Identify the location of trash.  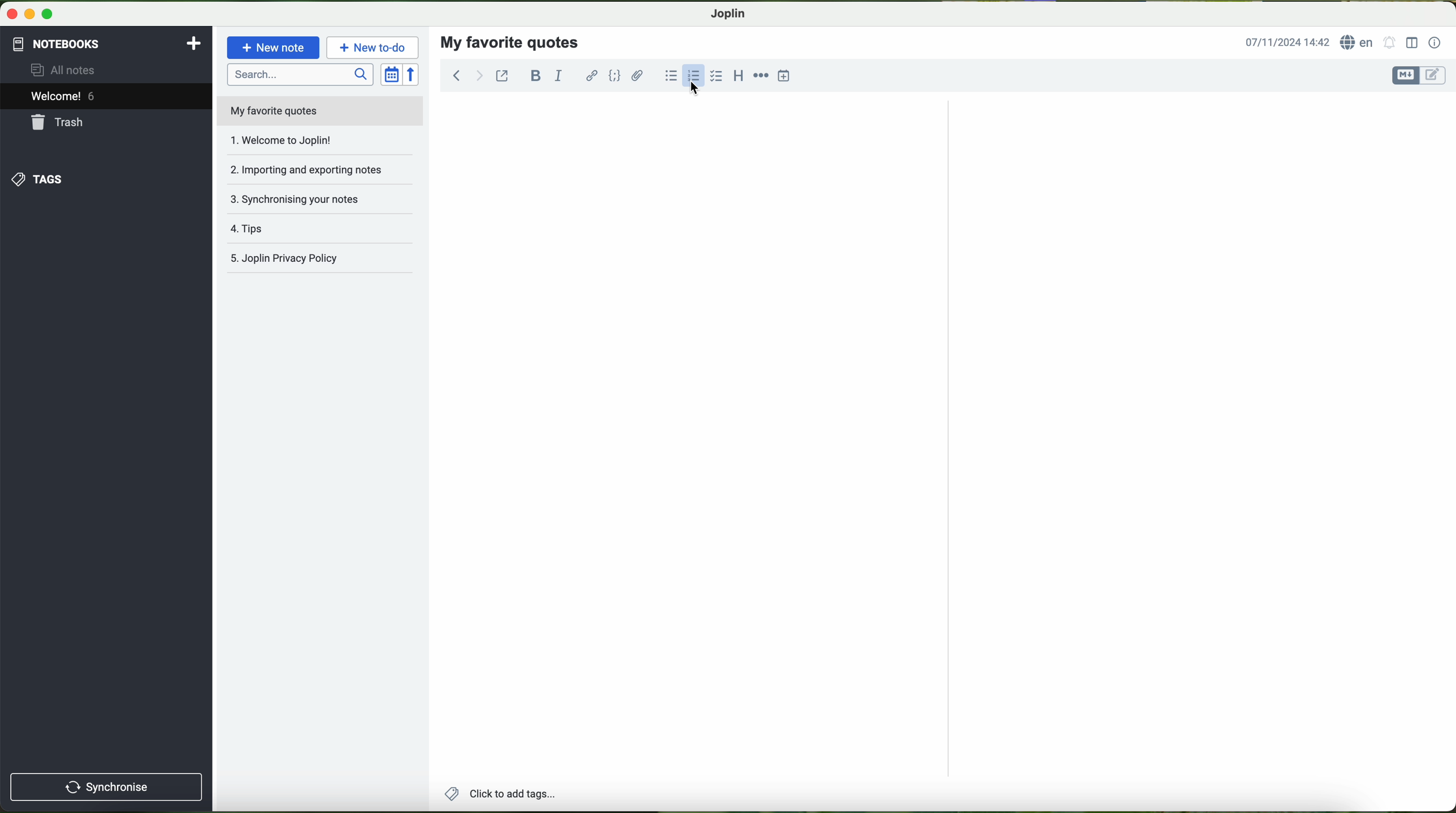
(107, 123).